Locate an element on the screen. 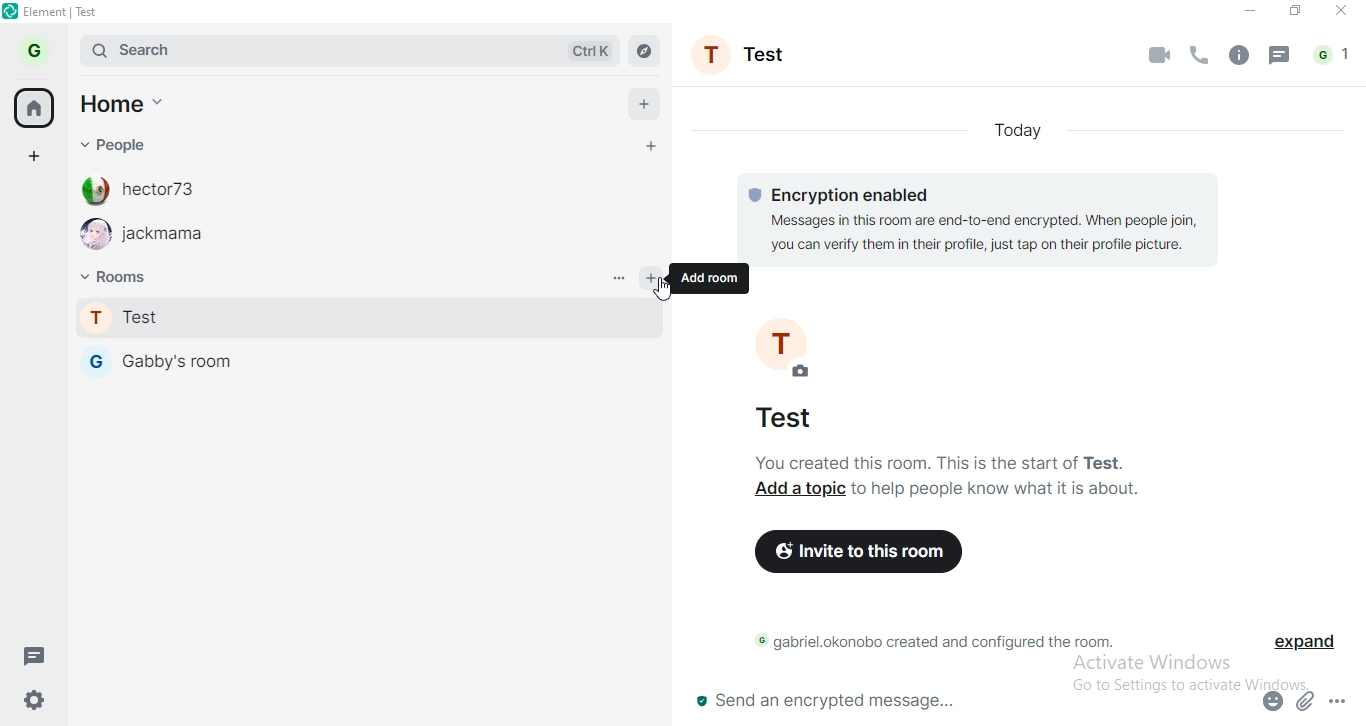  test is located at coordinates (368, 316).